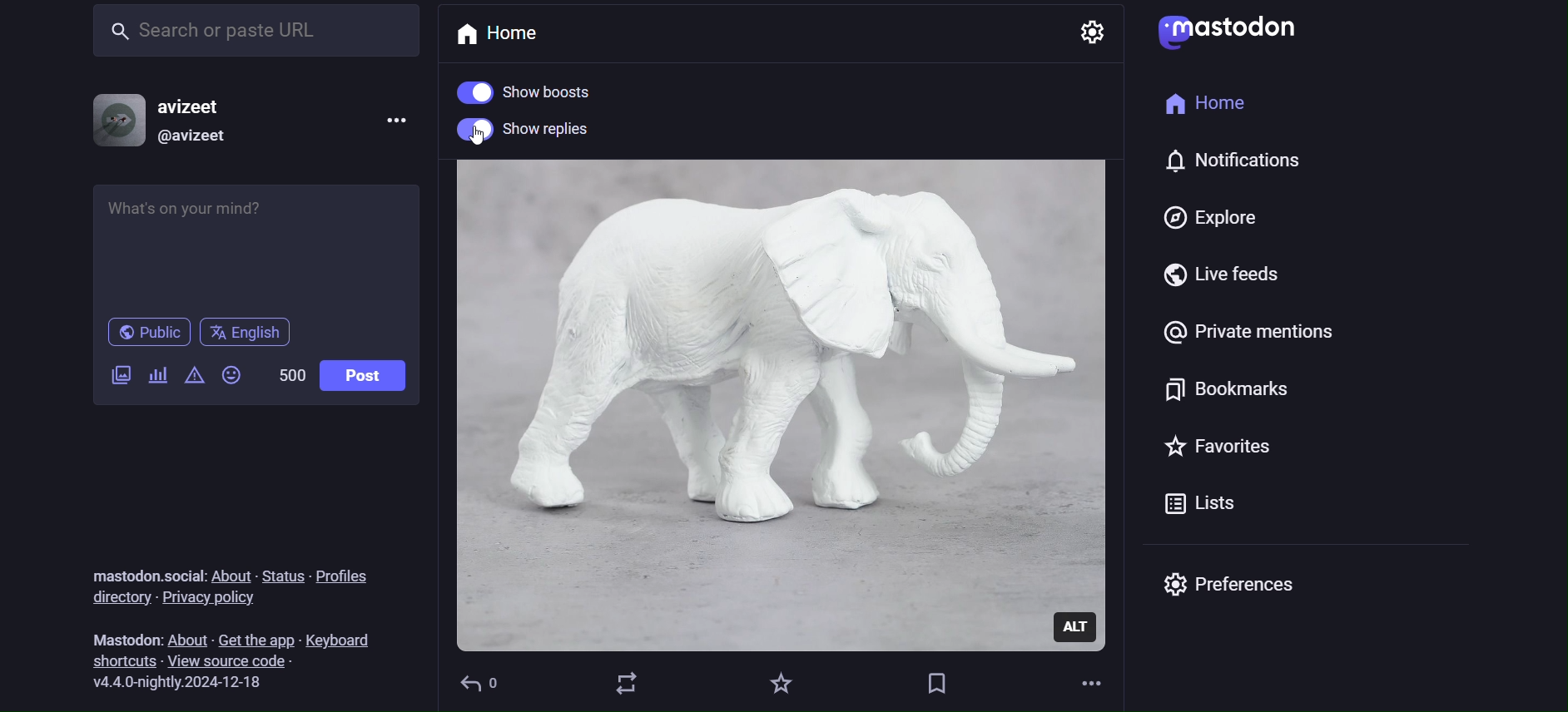  I want to click on bookmark, so click(937, 681).